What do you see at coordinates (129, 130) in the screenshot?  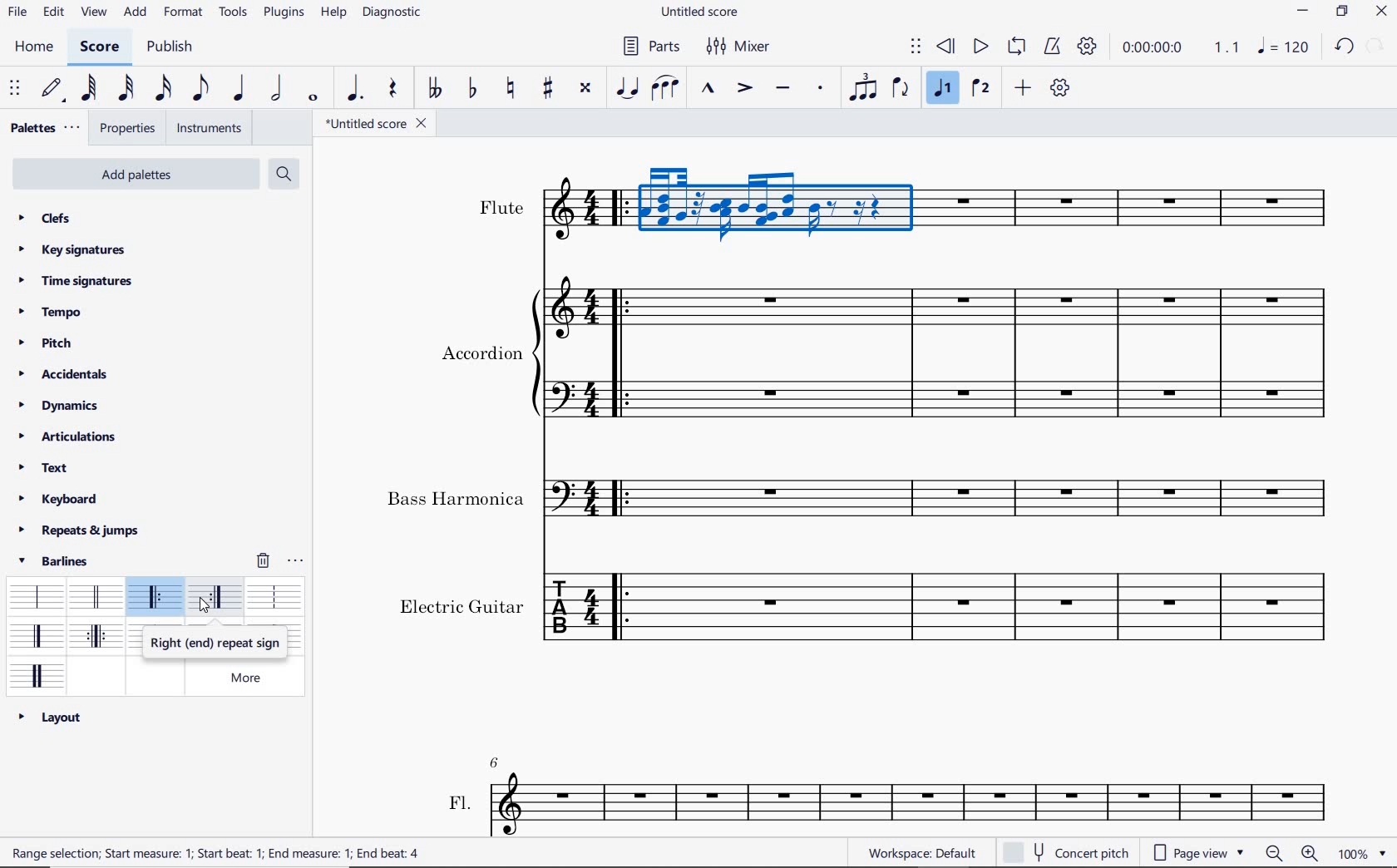 I see `properties` at bounding box center [129, 130].